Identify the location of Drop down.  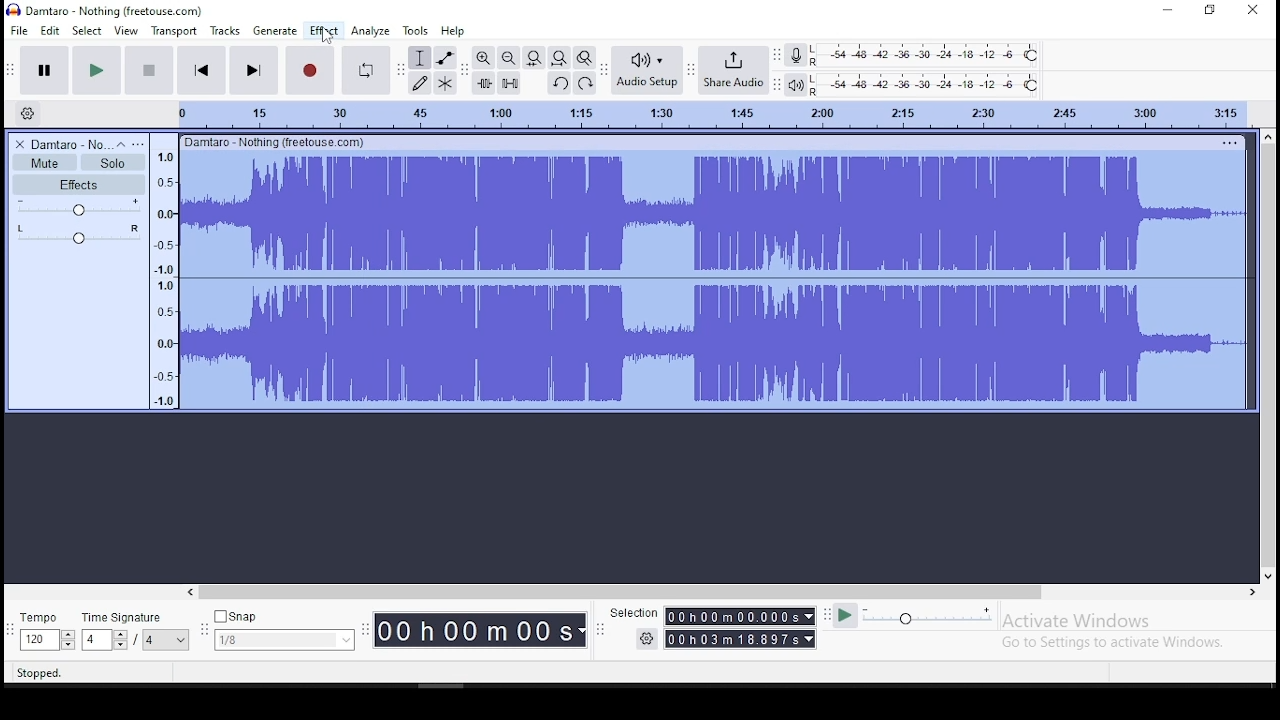
(67, 641).